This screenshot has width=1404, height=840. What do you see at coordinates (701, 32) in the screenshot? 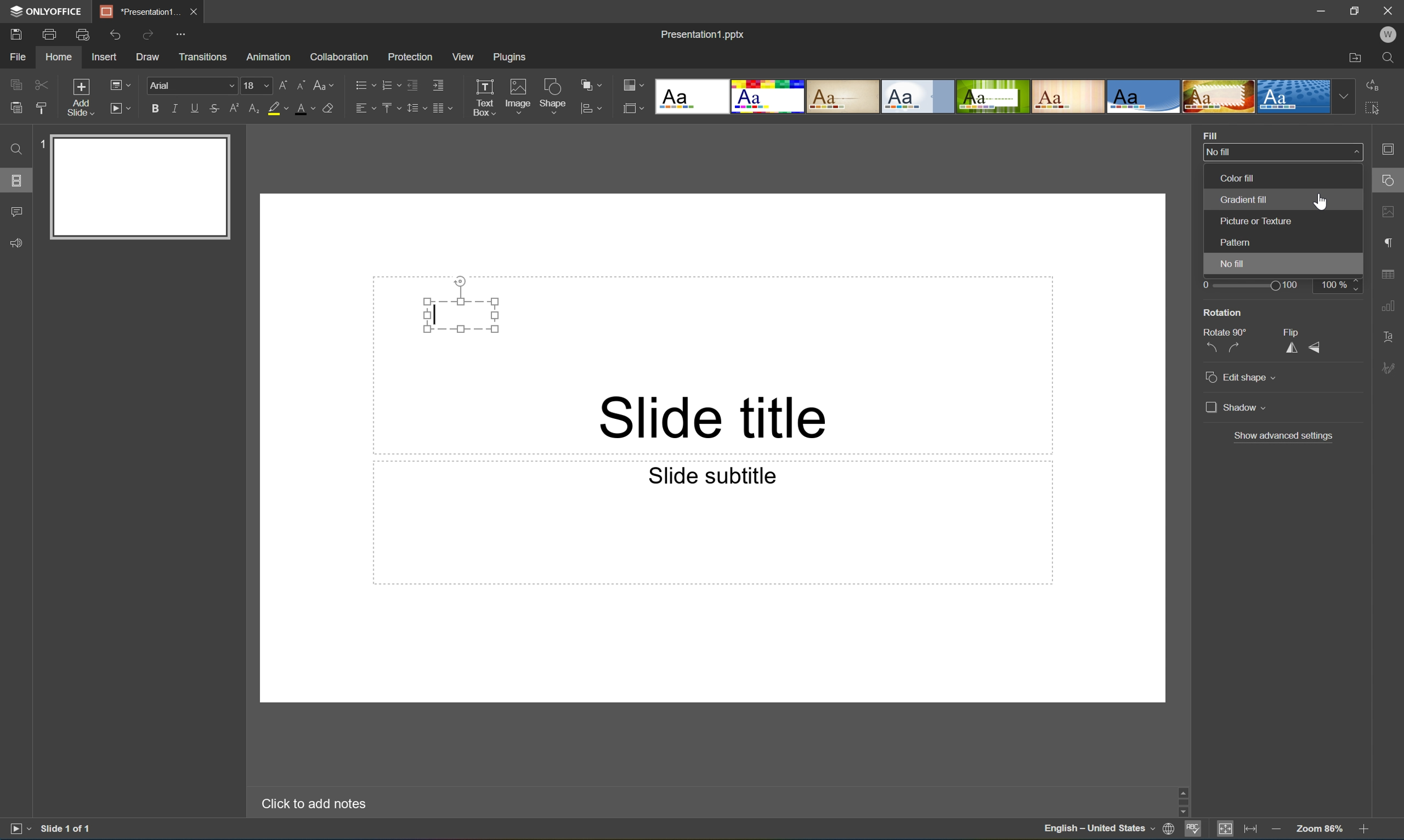
I see `Presentation1.pptx` at bounding box center [701, 32].